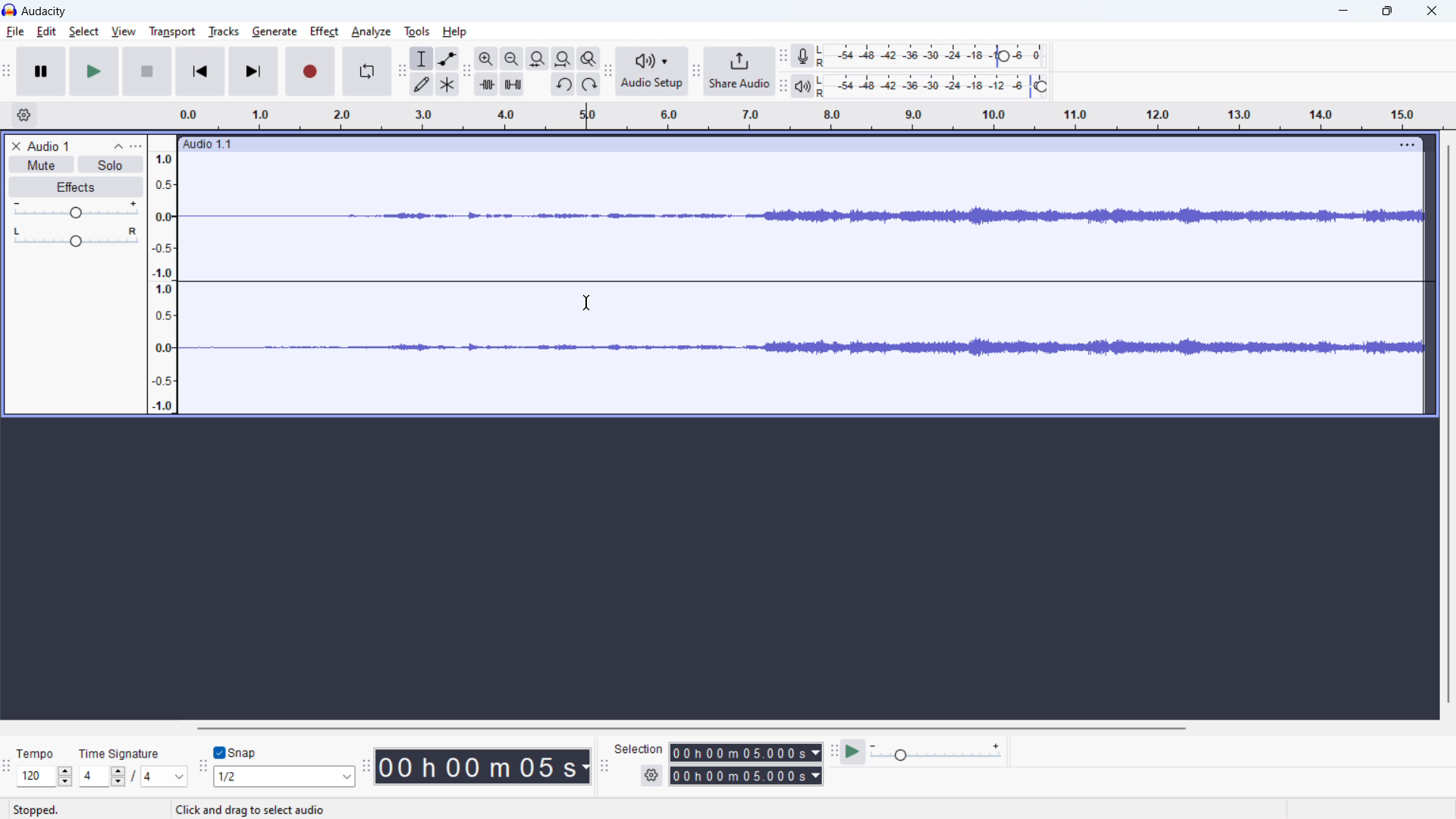  What do you see at coordinates (325, 32) in the screenshot?
I see `effect` at bounding box center [325, 32].